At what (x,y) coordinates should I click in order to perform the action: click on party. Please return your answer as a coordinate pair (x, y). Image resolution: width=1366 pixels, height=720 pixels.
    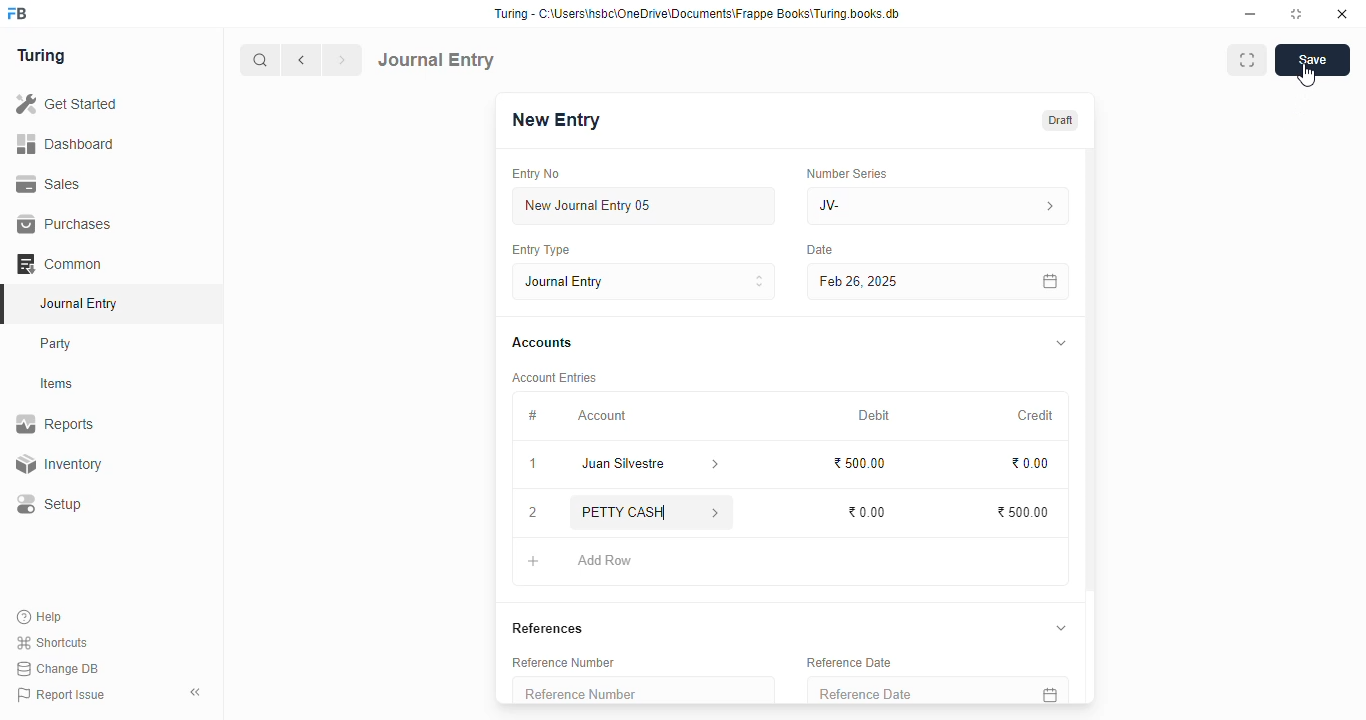
    Looking at the image, I should click on (58, 344).